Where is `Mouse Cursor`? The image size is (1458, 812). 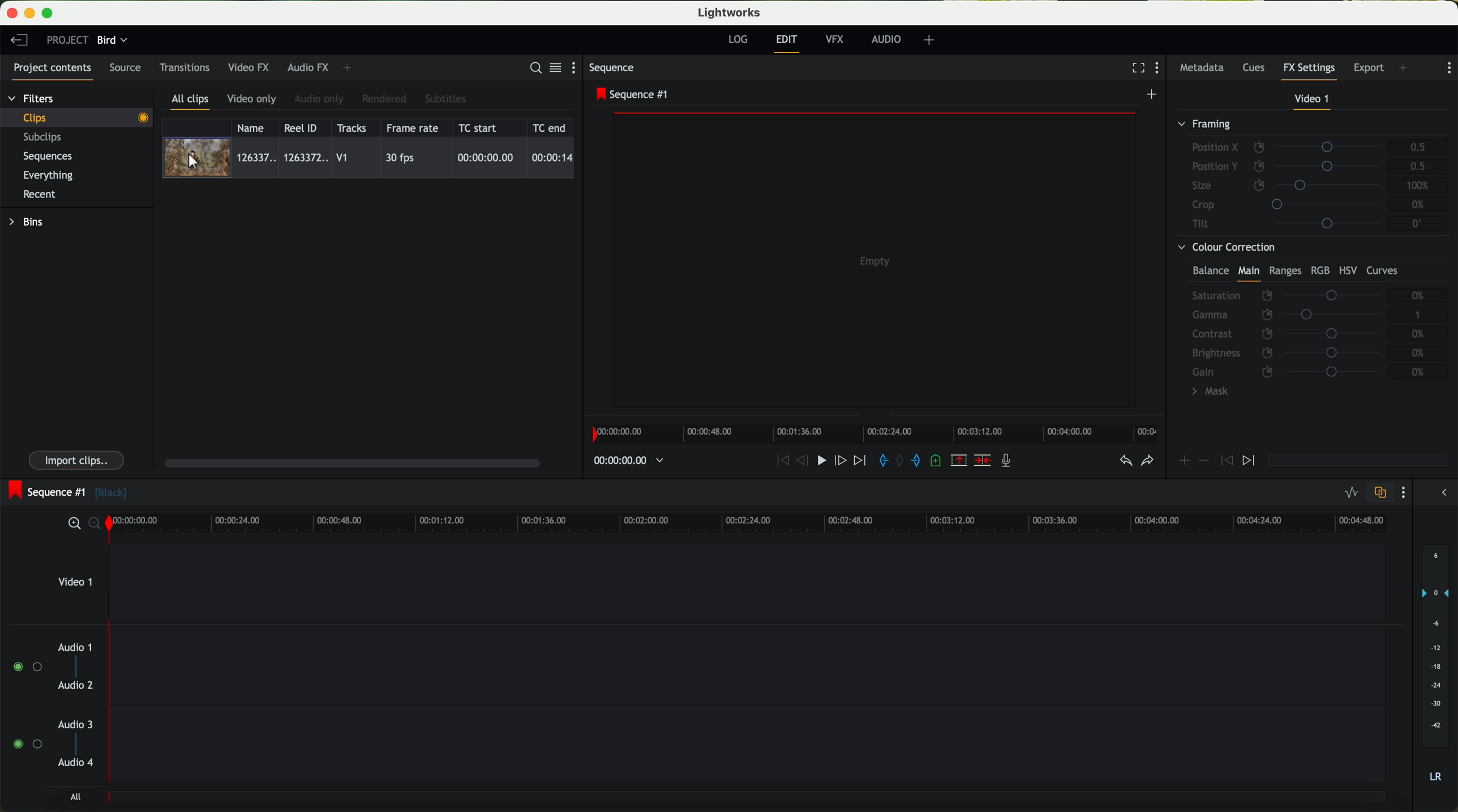 Mouse Cursor is located at coordinates (192, 164).